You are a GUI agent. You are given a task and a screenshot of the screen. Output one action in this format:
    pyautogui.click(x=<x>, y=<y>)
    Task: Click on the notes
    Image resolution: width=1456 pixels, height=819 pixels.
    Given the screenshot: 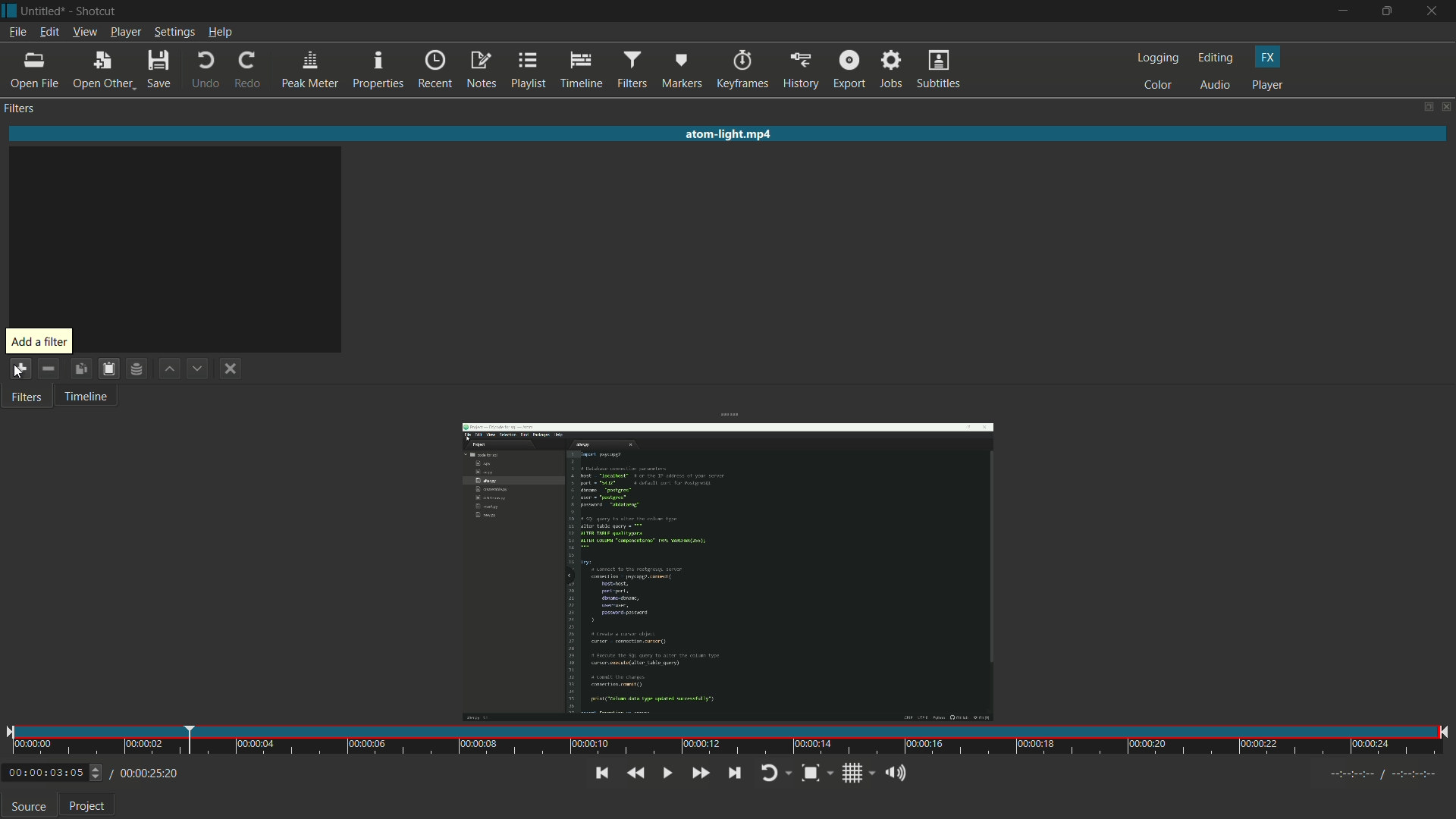 What is the action you would take?
    pyautogui.click(x=482, y=71)
    